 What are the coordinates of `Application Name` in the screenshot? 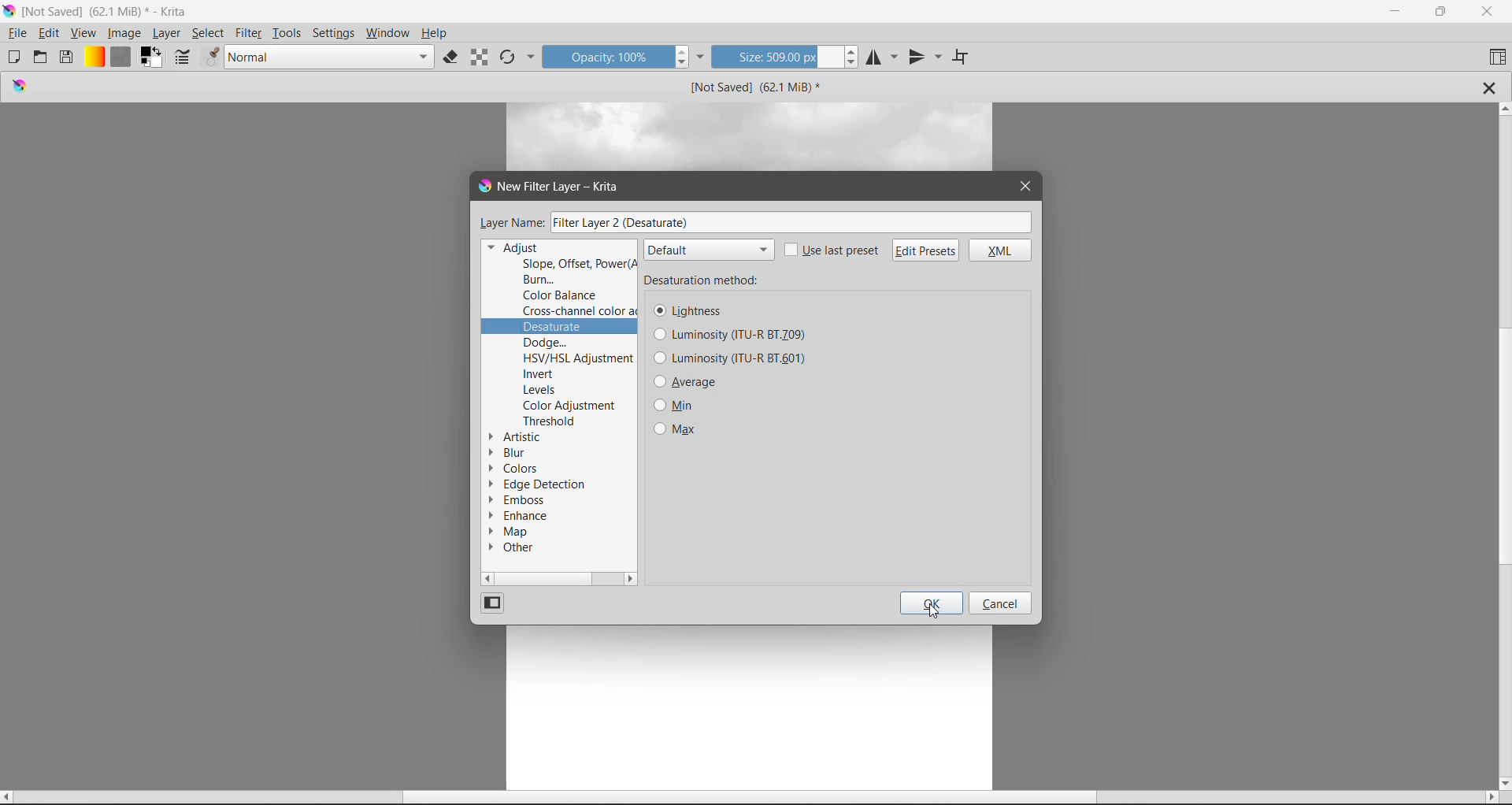 It's located at (108, 10).